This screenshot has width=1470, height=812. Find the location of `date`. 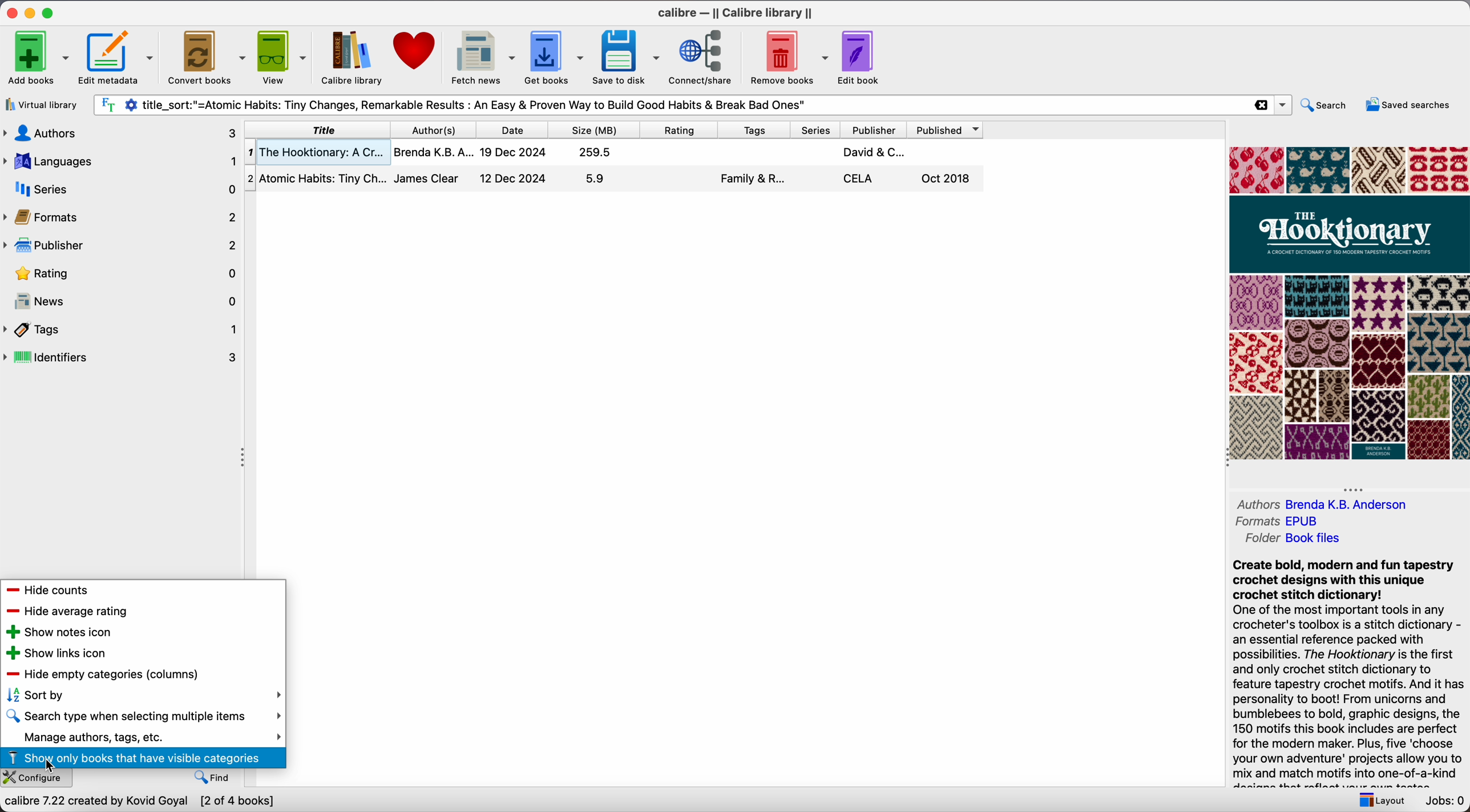

date is located at coordinates (514, 129).